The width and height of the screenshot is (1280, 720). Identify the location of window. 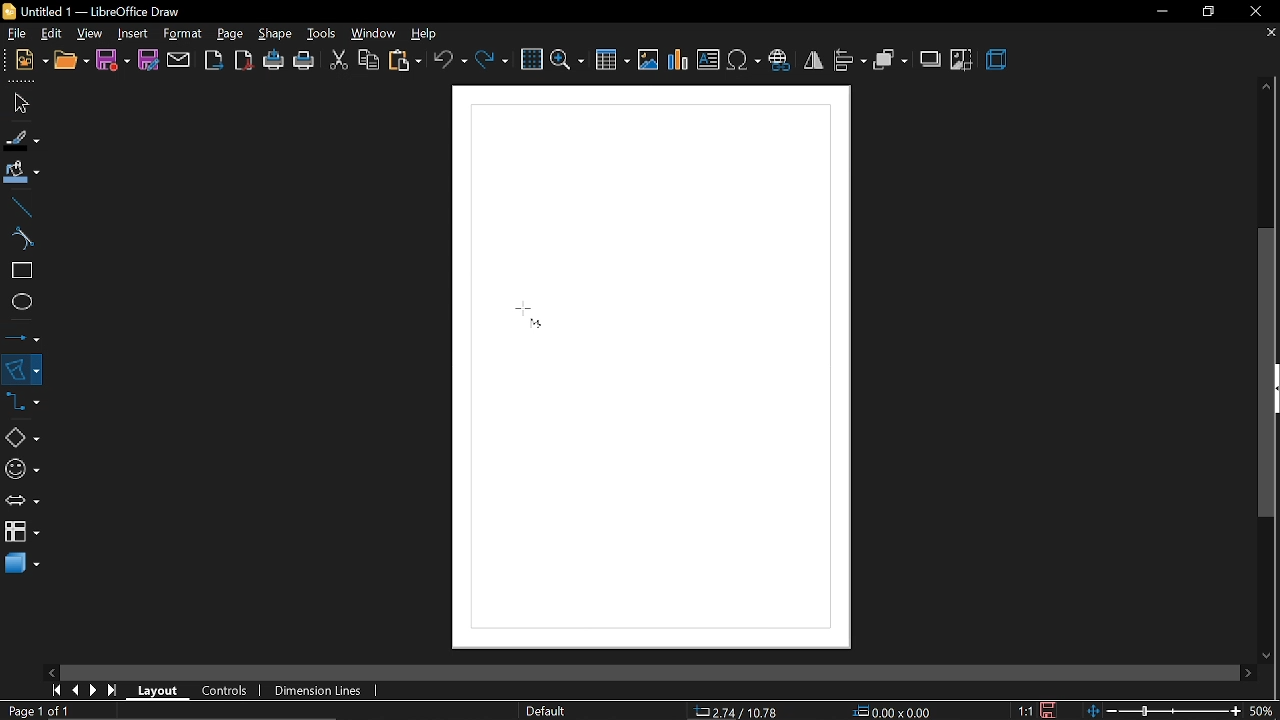
(372, 34).